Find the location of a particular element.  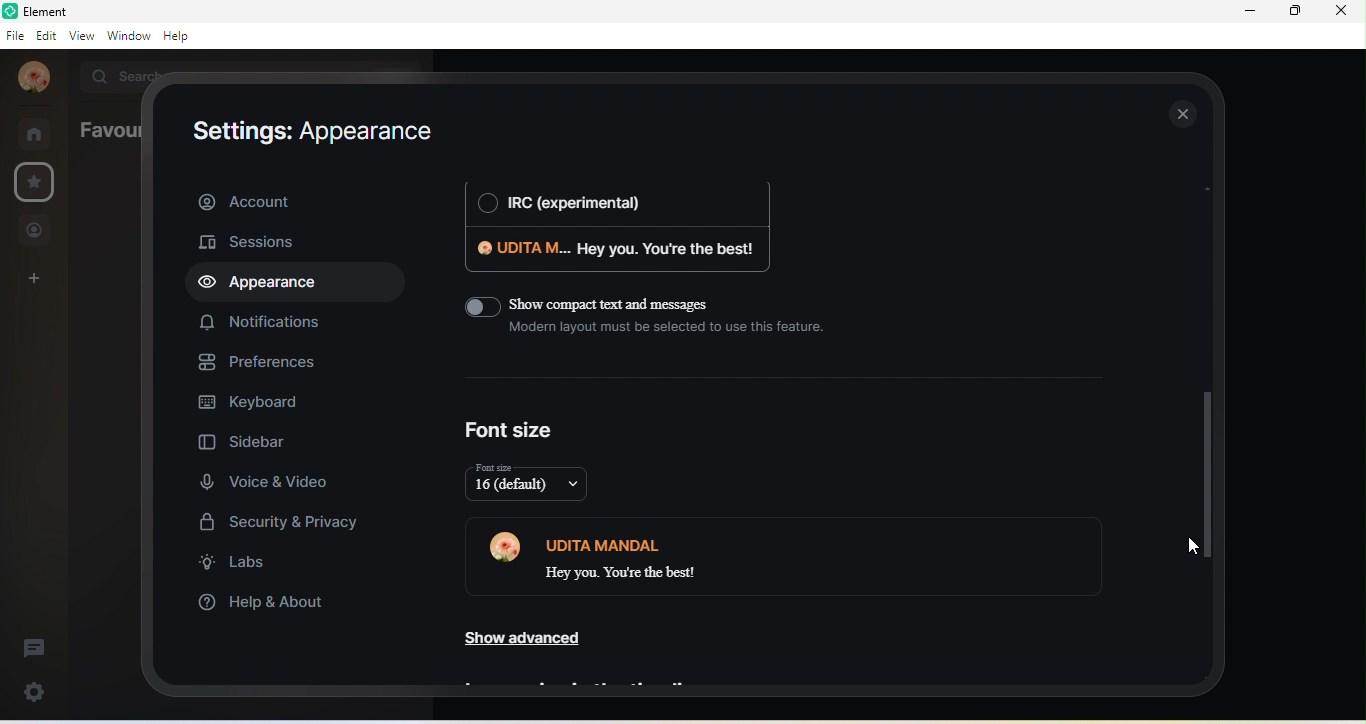

profile photo is located at coordinates (34, 78).